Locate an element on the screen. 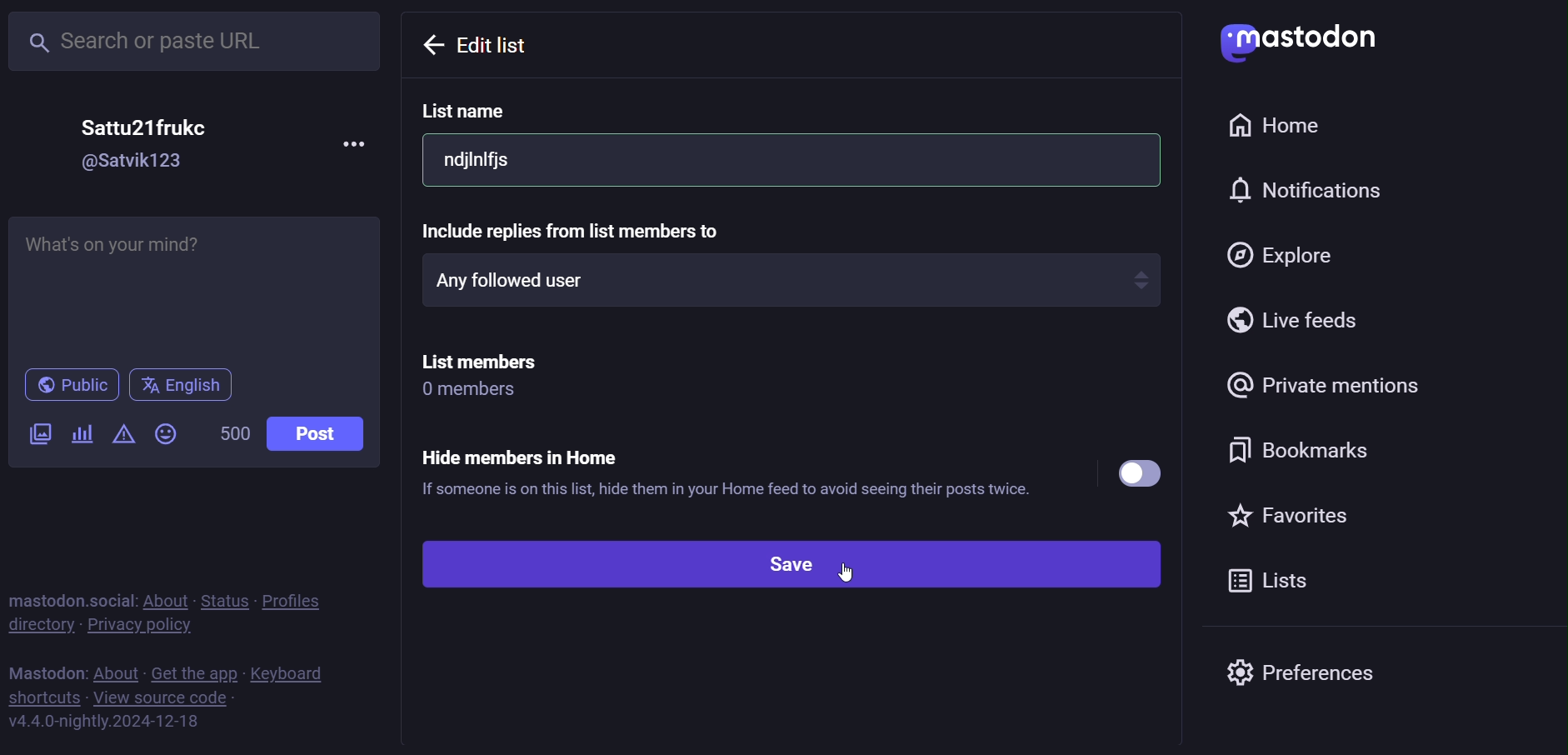 This screenshot has height=755, width=1568. private mention is located at coordinates (1328, 387).